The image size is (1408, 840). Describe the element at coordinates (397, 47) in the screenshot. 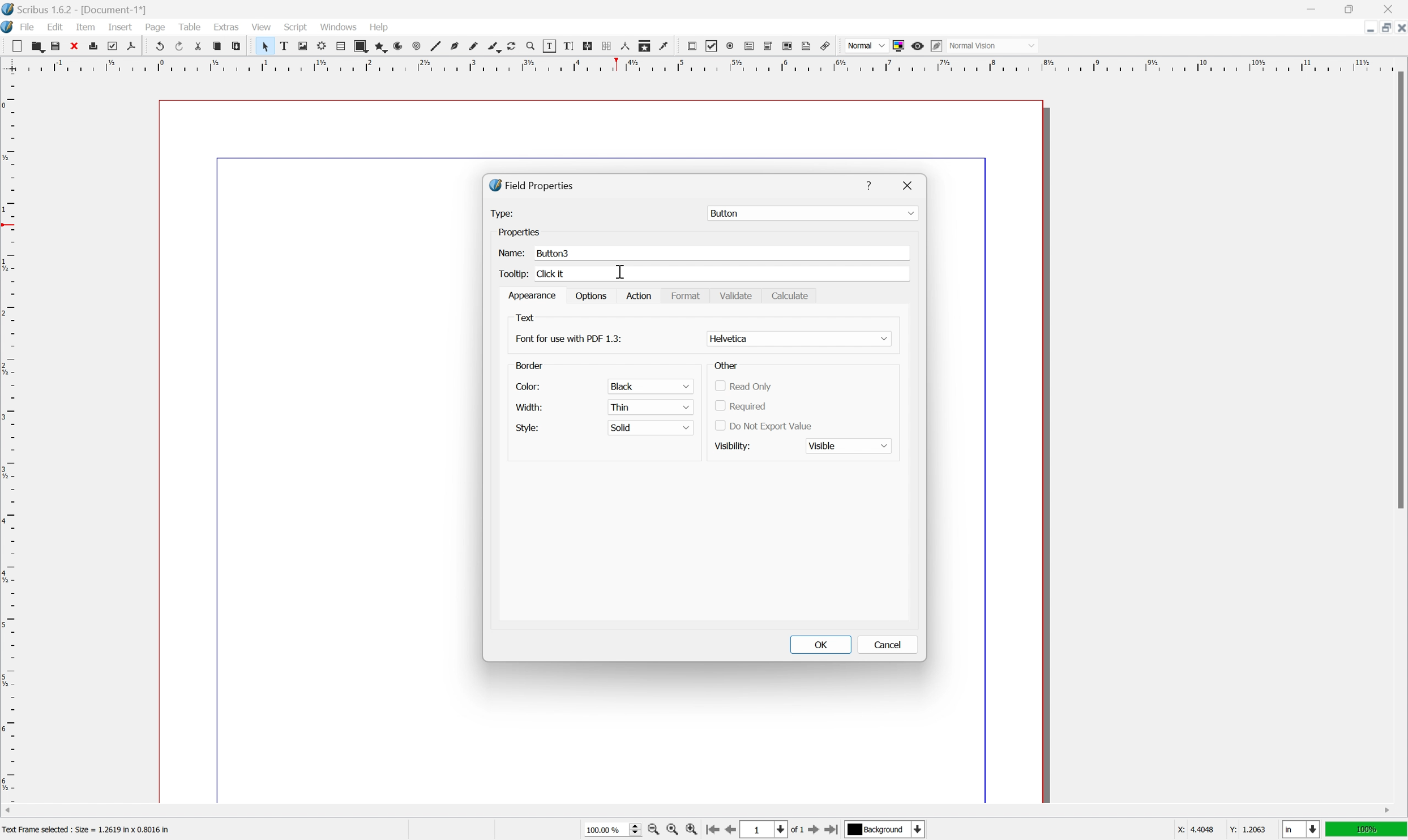

I see `arc` at that location.